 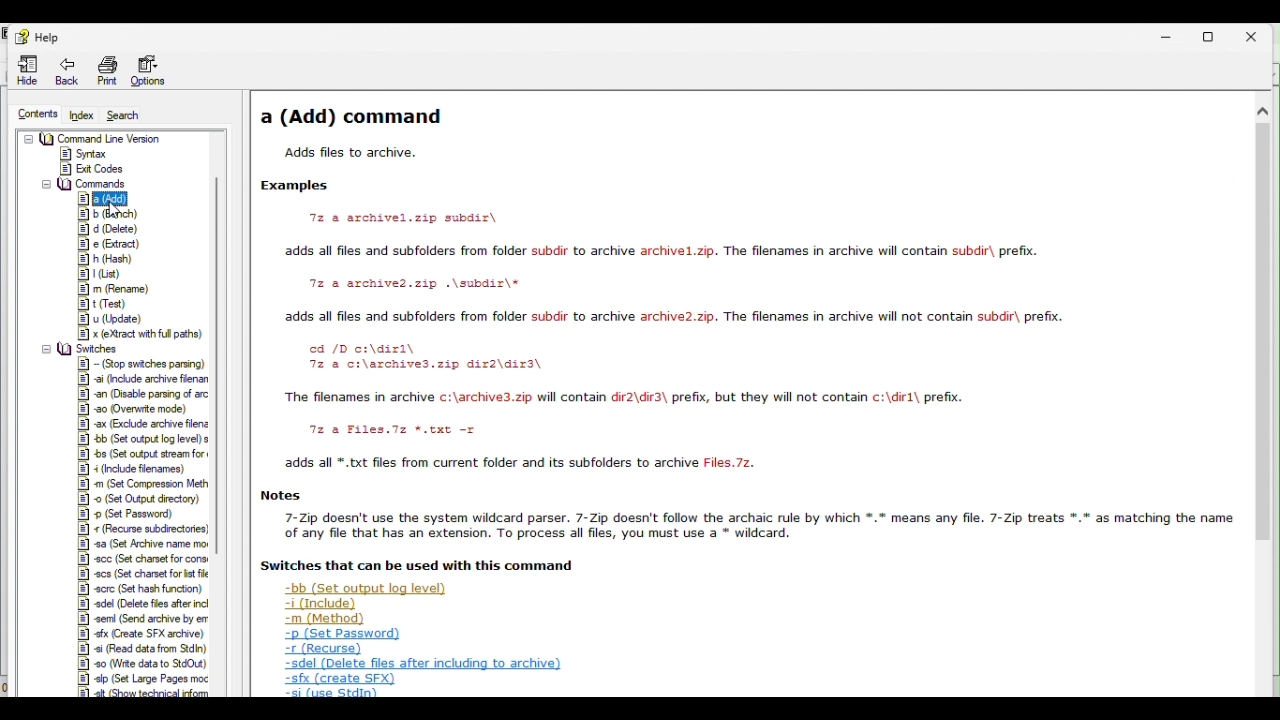 I want to click on Close, so click(x=1250, y=37).